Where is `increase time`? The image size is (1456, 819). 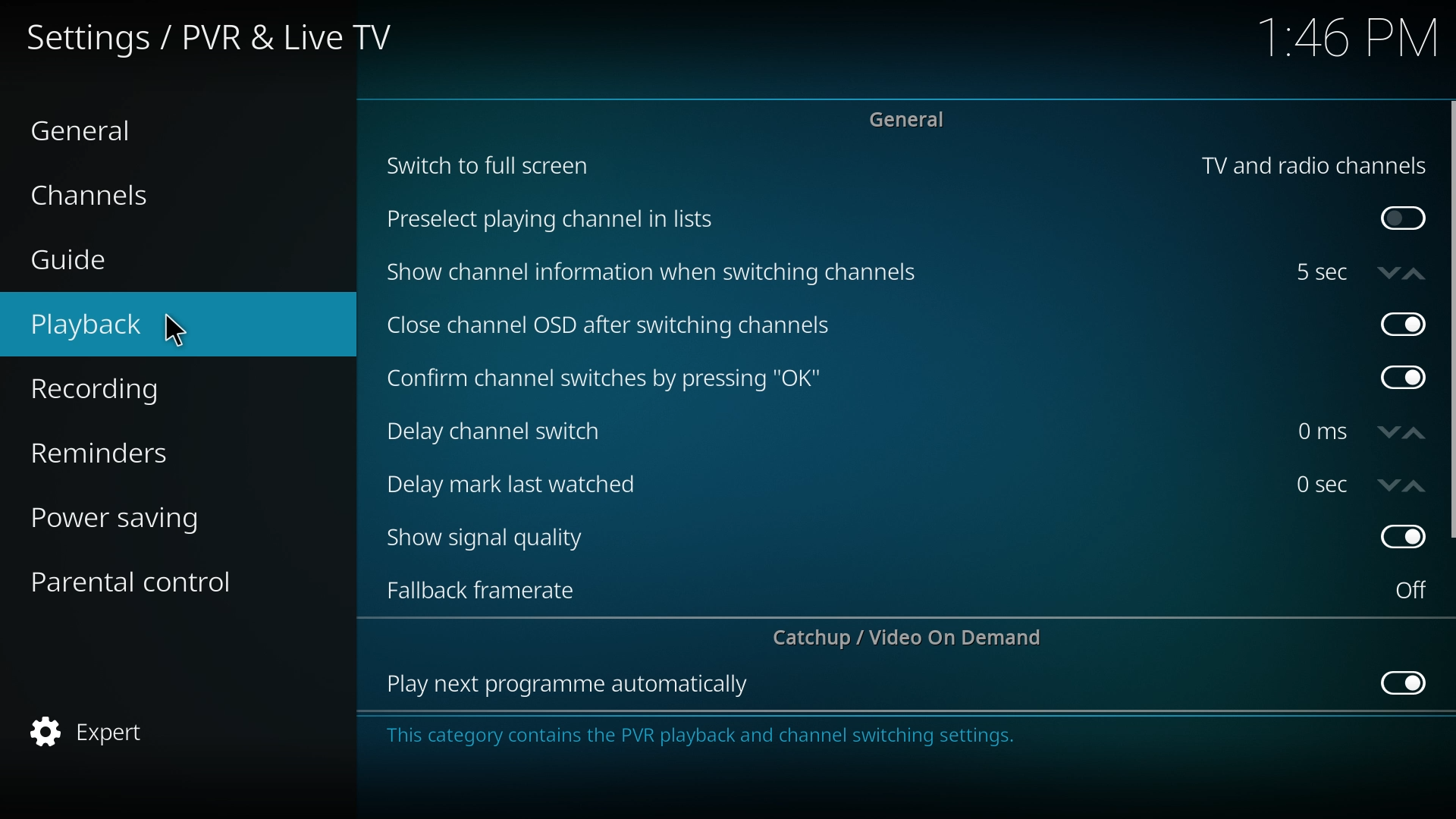 increase time is located at coordinates (1414, 274).